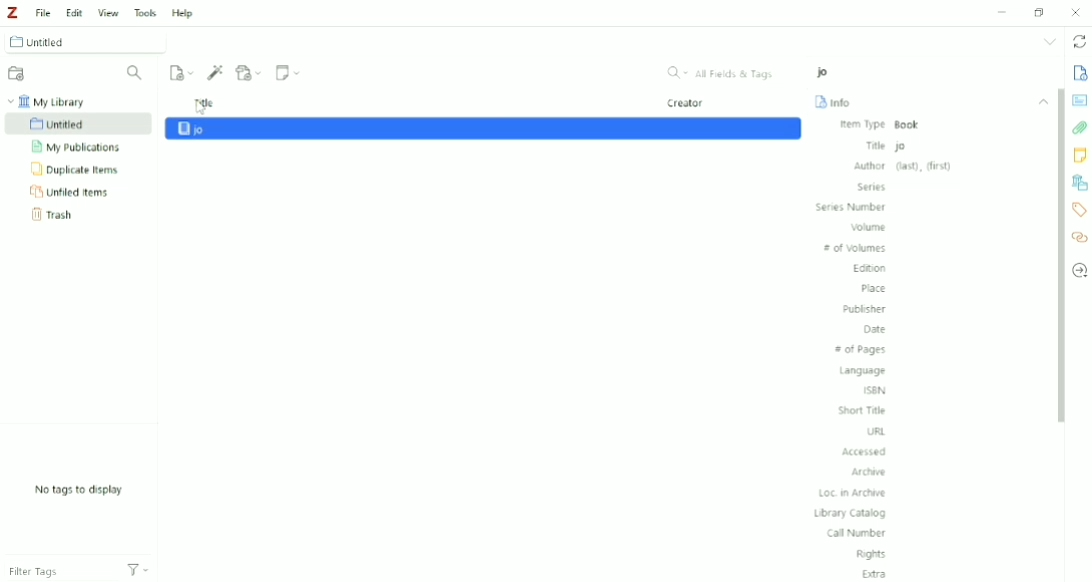 The width and height of the screenshot is (1092, 582). Describe the element at coordinates (137, 73) in the screenshot. I see `Filter Collections` at that location.